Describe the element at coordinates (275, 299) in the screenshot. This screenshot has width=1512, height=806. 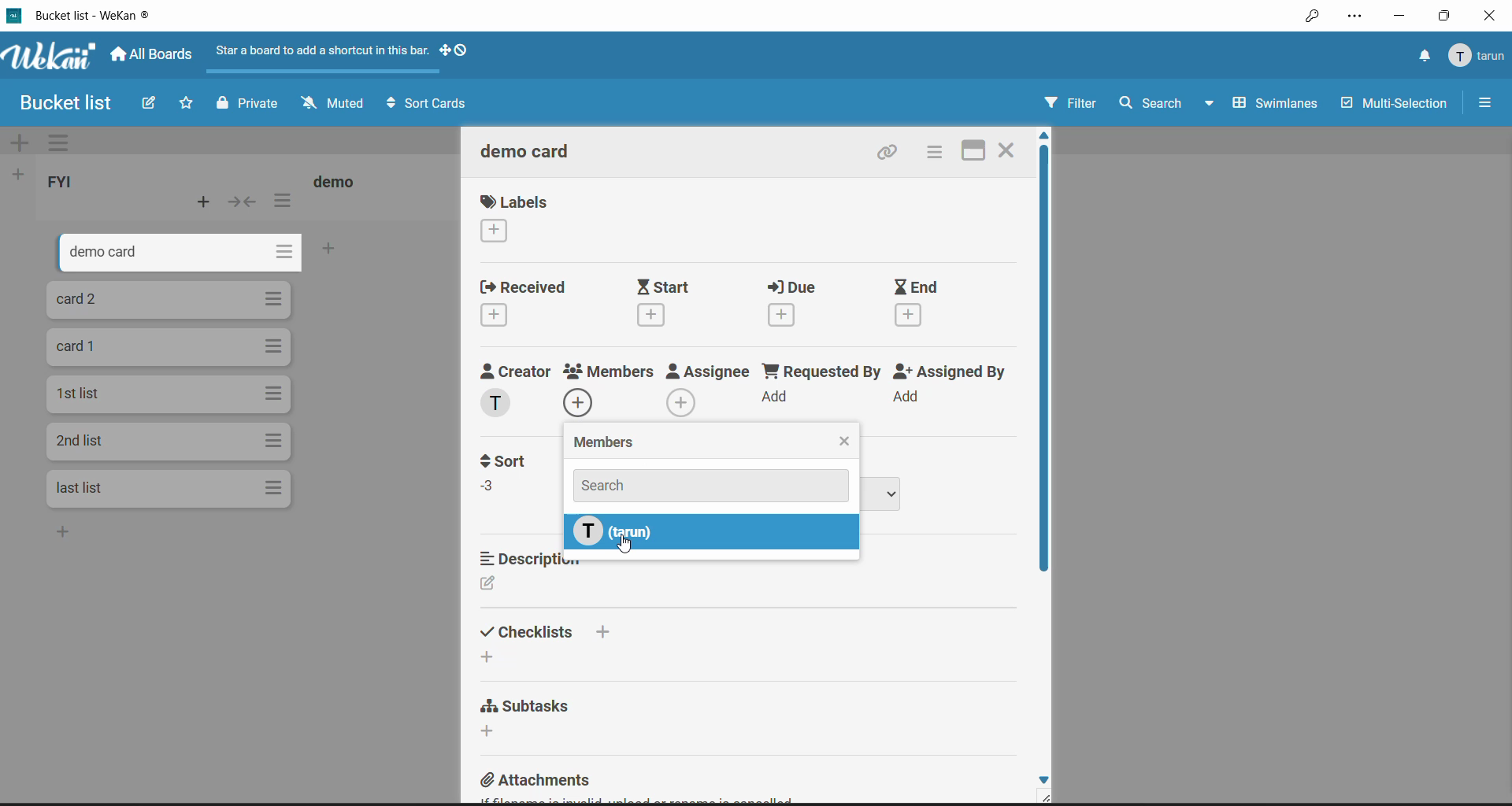
I see `card actions` at that location.